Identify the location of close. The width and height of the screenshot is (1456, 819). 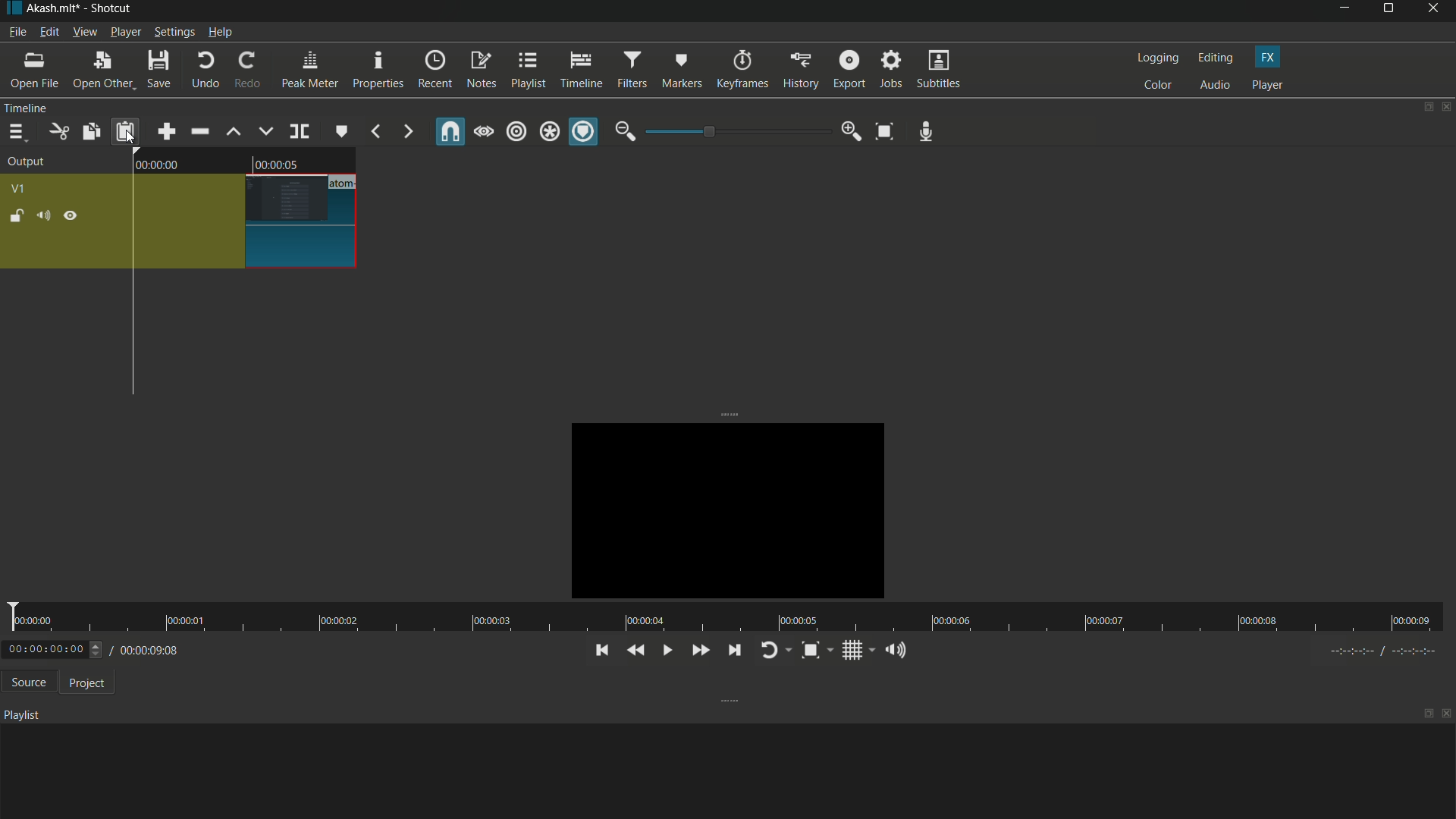
(1447, 716).